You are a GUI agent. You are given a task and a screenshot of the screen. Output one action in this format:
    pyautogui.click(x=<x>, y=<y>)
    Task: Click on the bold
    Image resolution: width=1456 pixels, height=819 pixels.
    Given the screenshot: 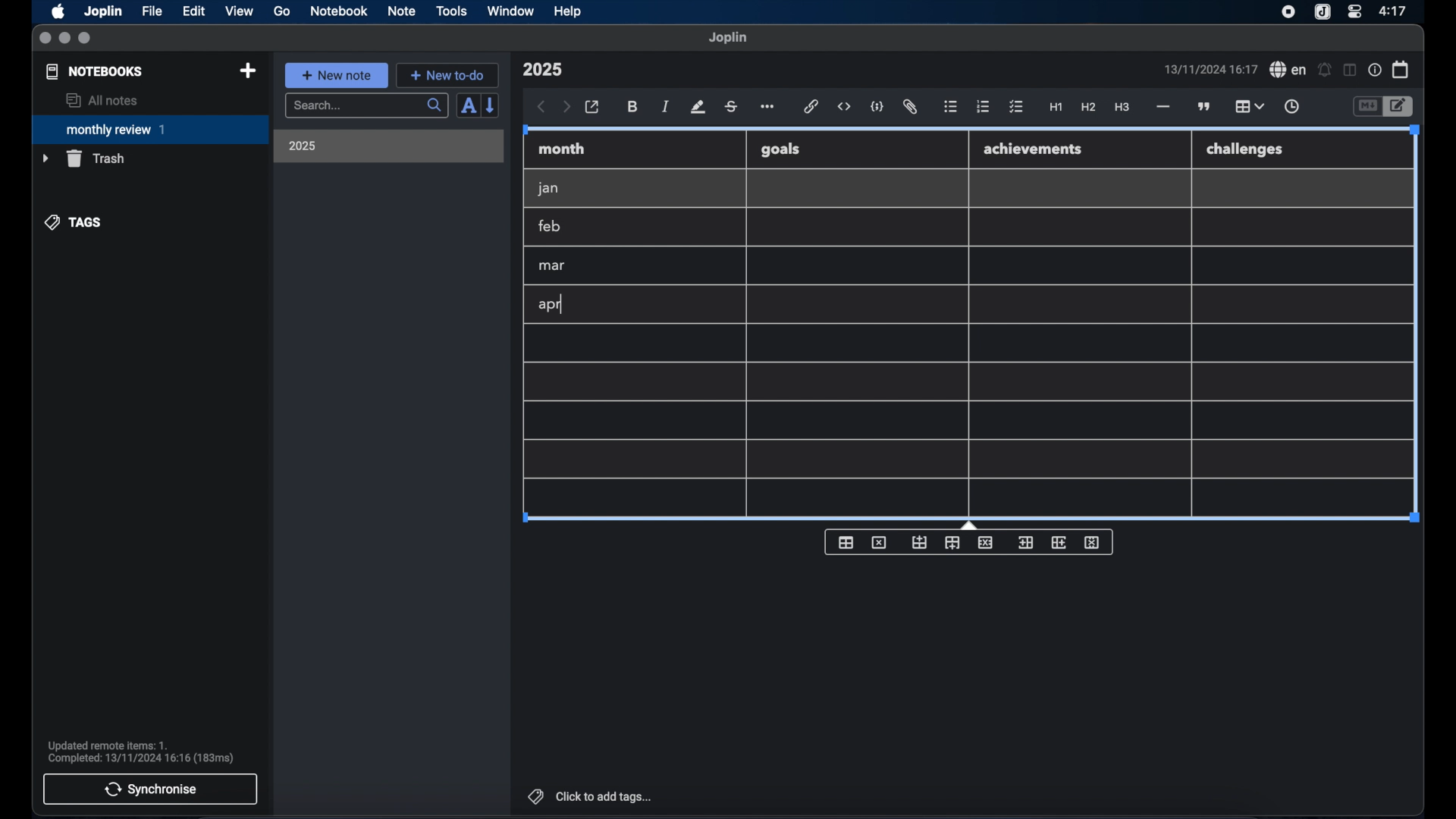 What is the action you would take?
    pyautogui.click(x=634, y=107)
    